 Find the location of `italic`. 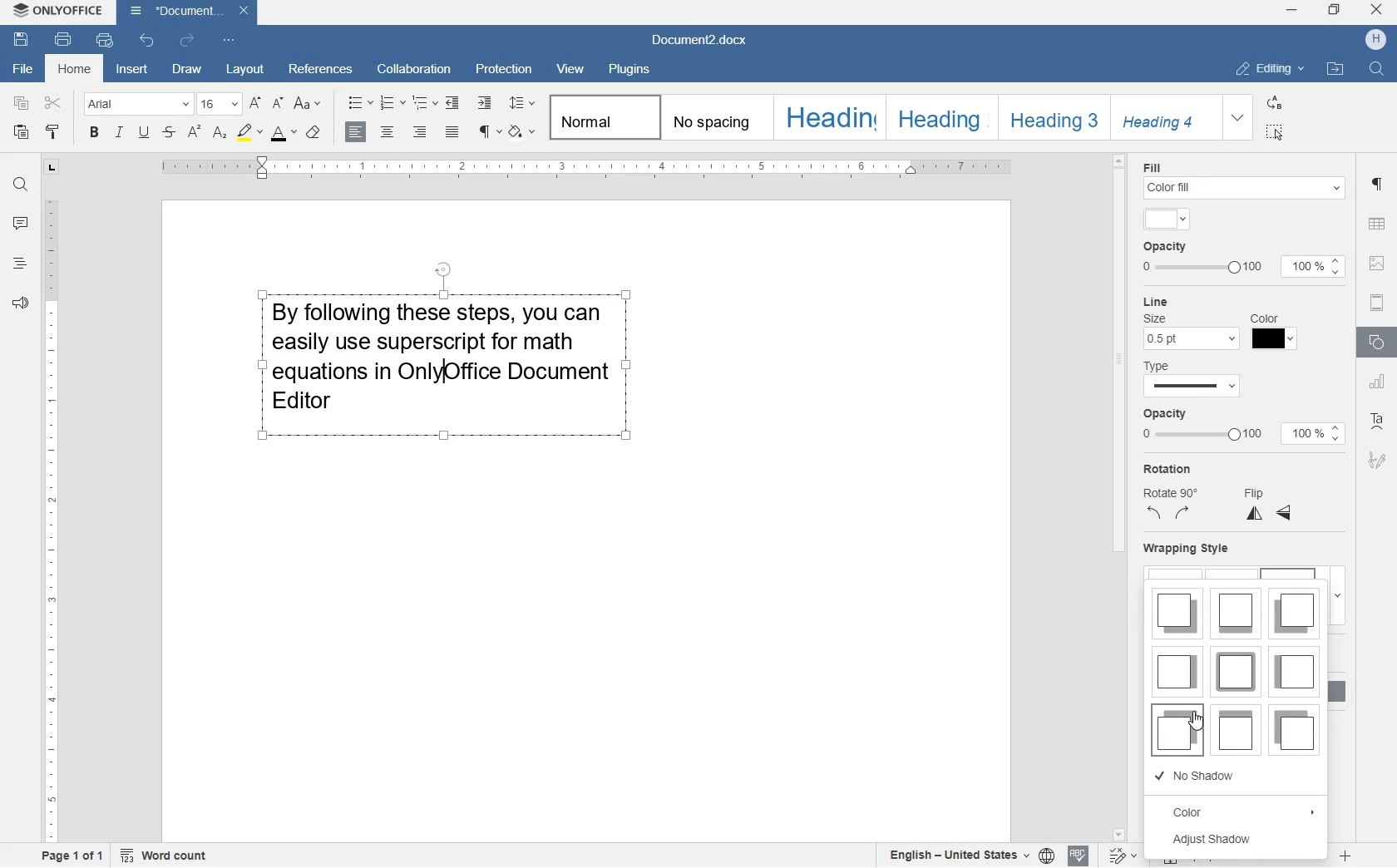

italic is located at coordinates (118, 132).